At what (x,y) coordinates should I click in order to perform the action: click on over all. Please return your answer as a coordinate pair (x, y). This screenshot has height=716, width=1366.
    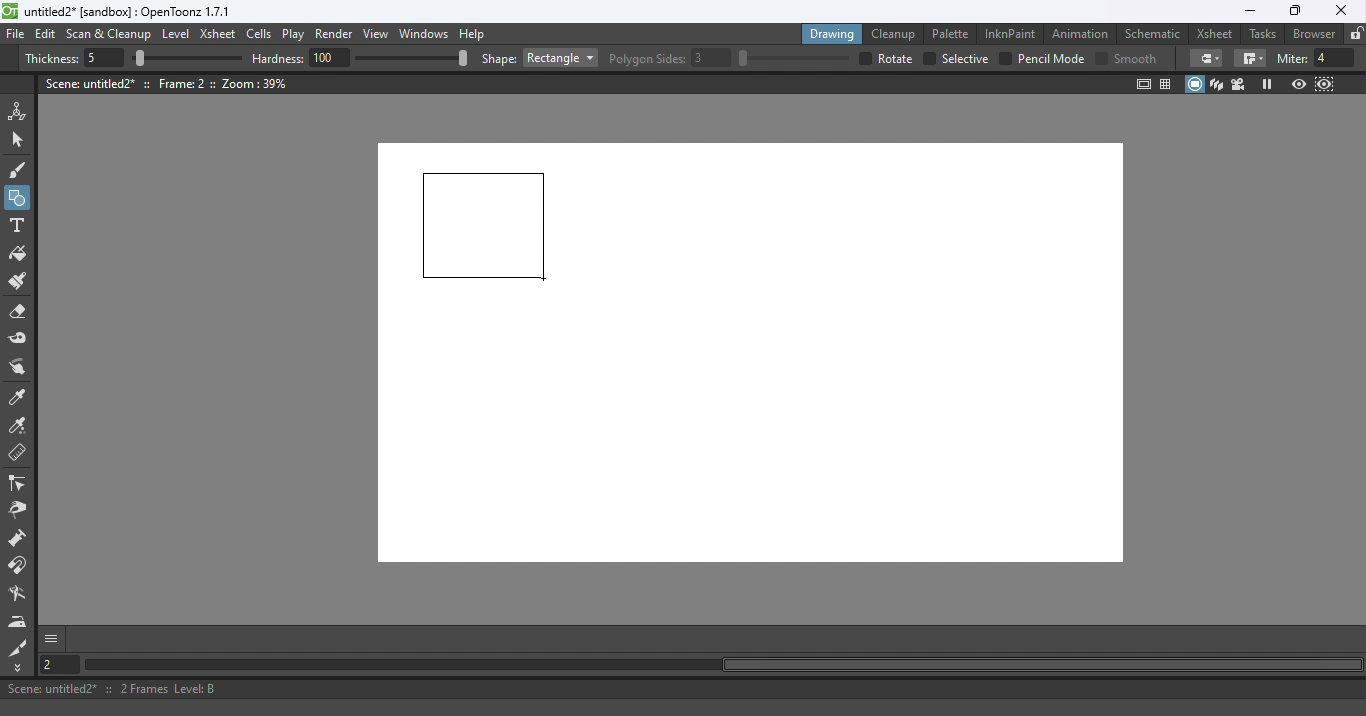
    Looking at the image, I should click on (897, 58).